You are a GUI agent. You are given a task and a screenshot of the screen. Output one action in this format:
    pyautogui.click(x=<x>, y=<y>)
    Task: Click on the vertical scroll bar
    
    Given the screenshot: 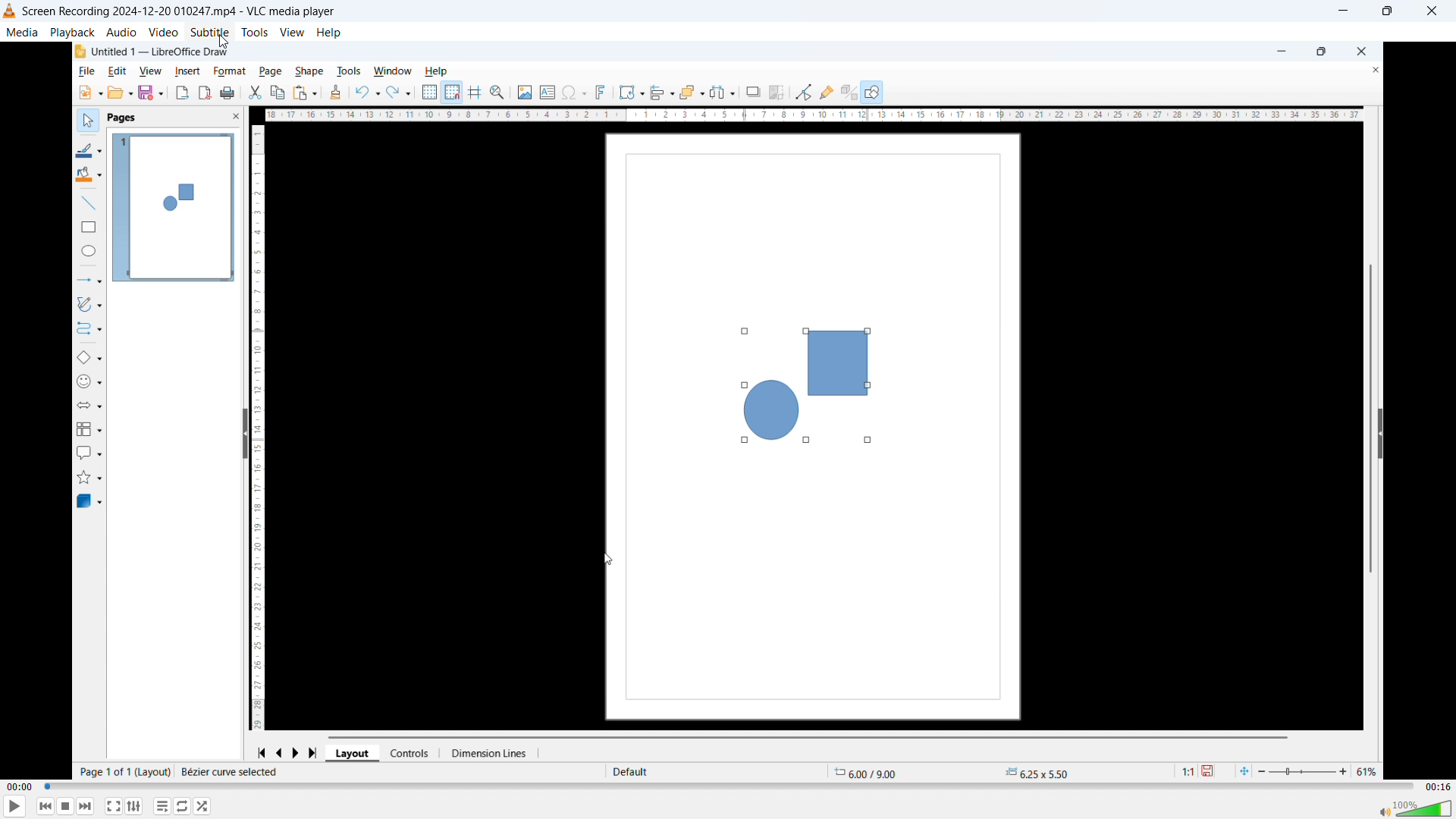 What is the action you would take?
    pyautogui.click(x=1369, y=409)
    